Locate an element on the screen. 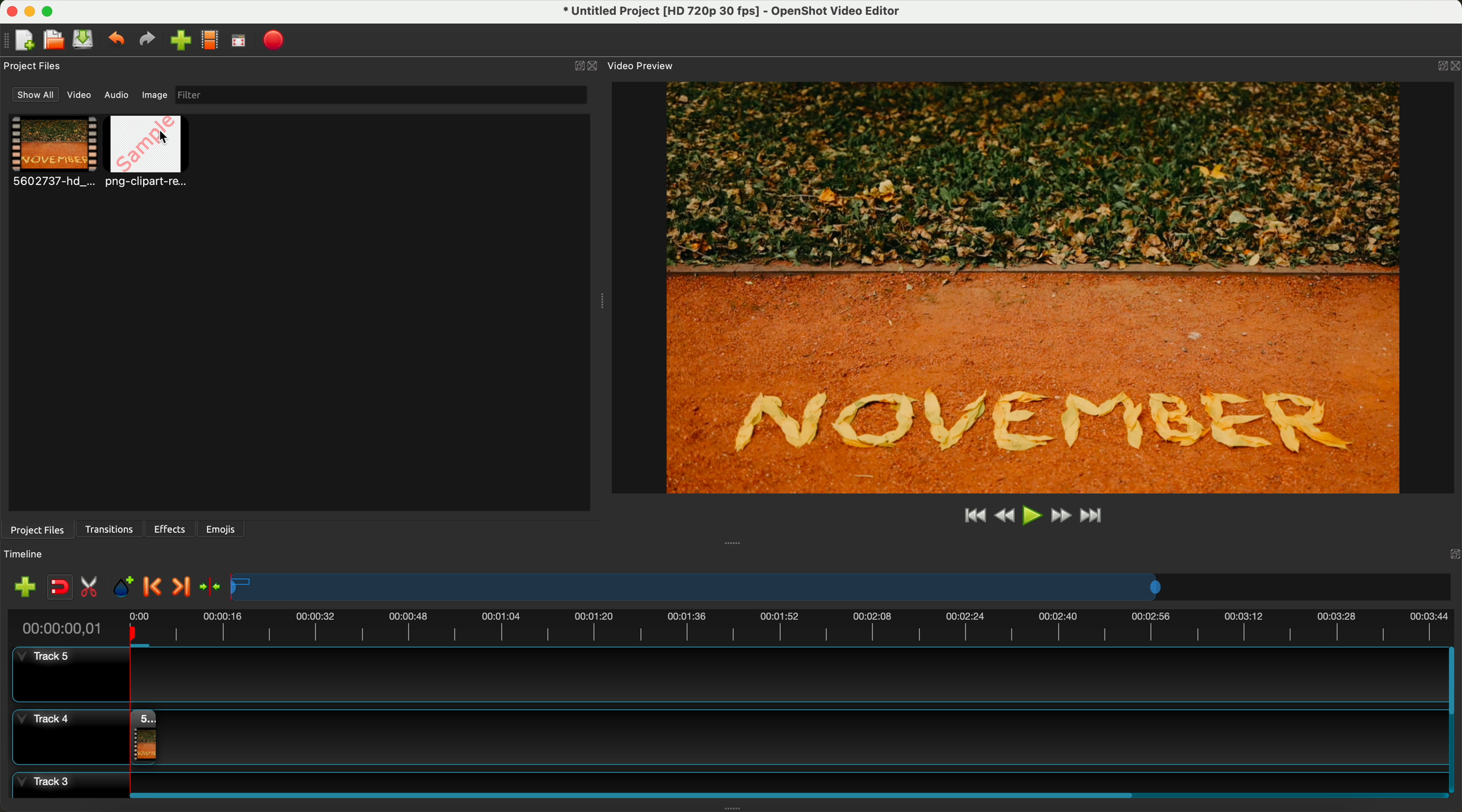  timeline is located at coordinates (842, 588).